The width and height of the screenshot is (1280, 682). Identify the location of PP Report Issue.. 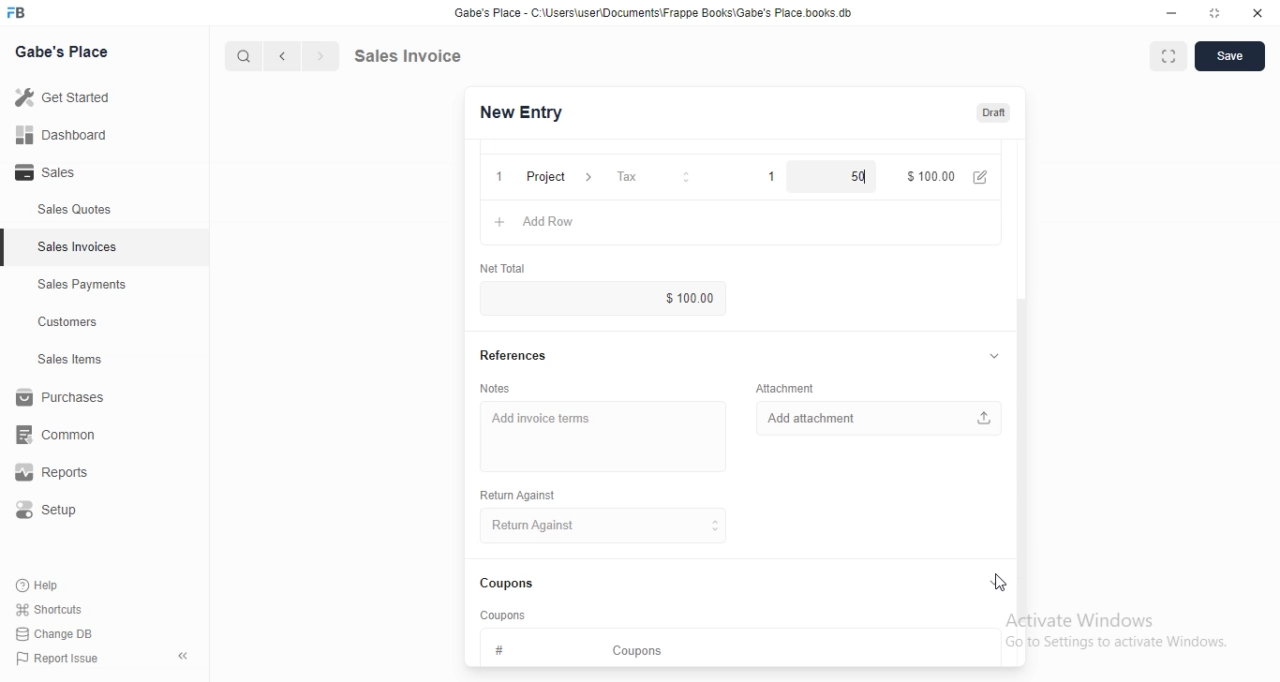
(64, 662).